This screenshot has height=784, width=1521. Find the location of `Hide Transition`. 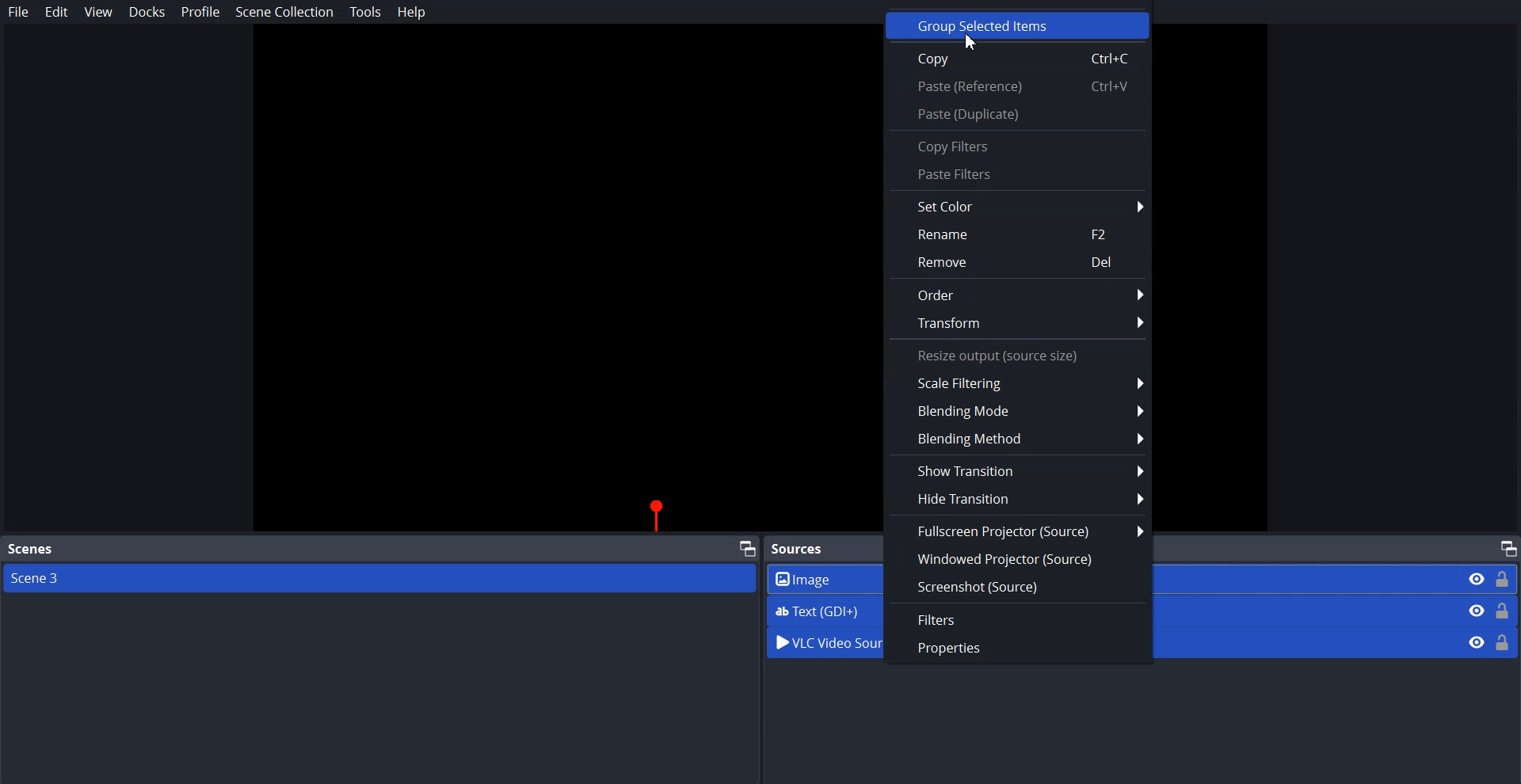

Hide Transition is located at coordinates (1018, 498).